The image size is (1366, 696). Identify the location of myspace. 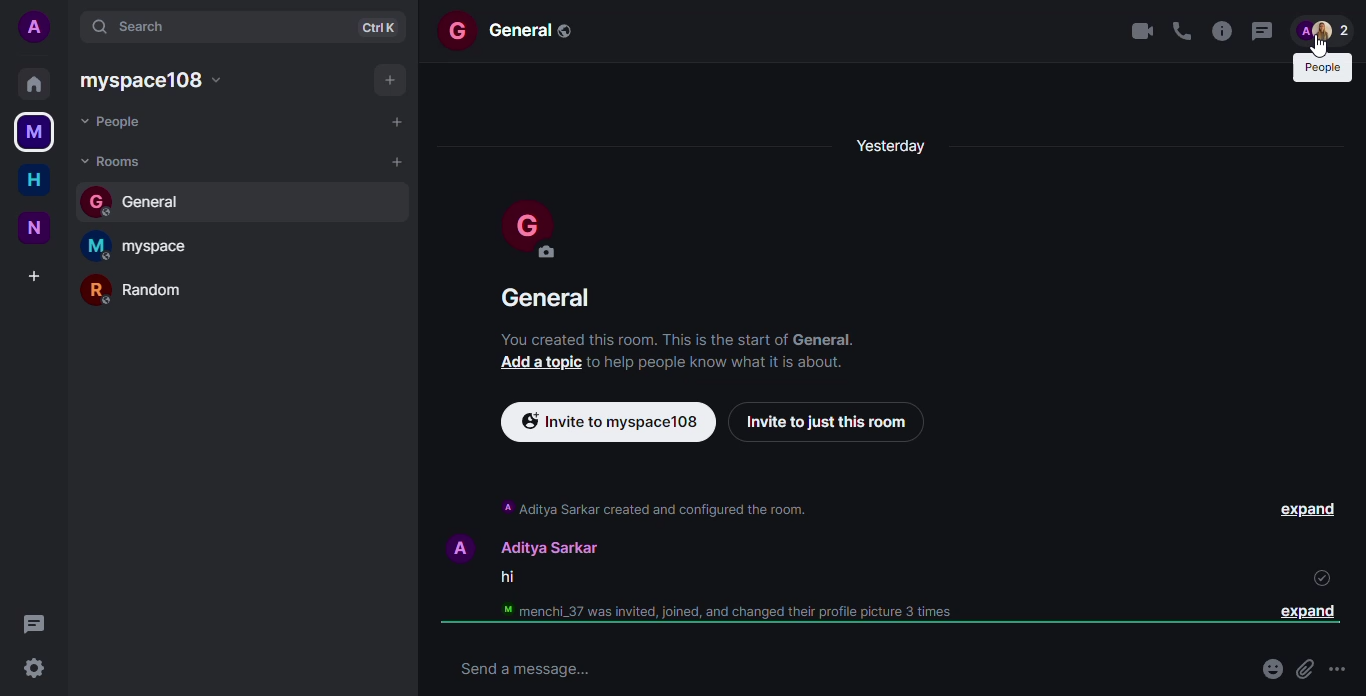
(35, 131).